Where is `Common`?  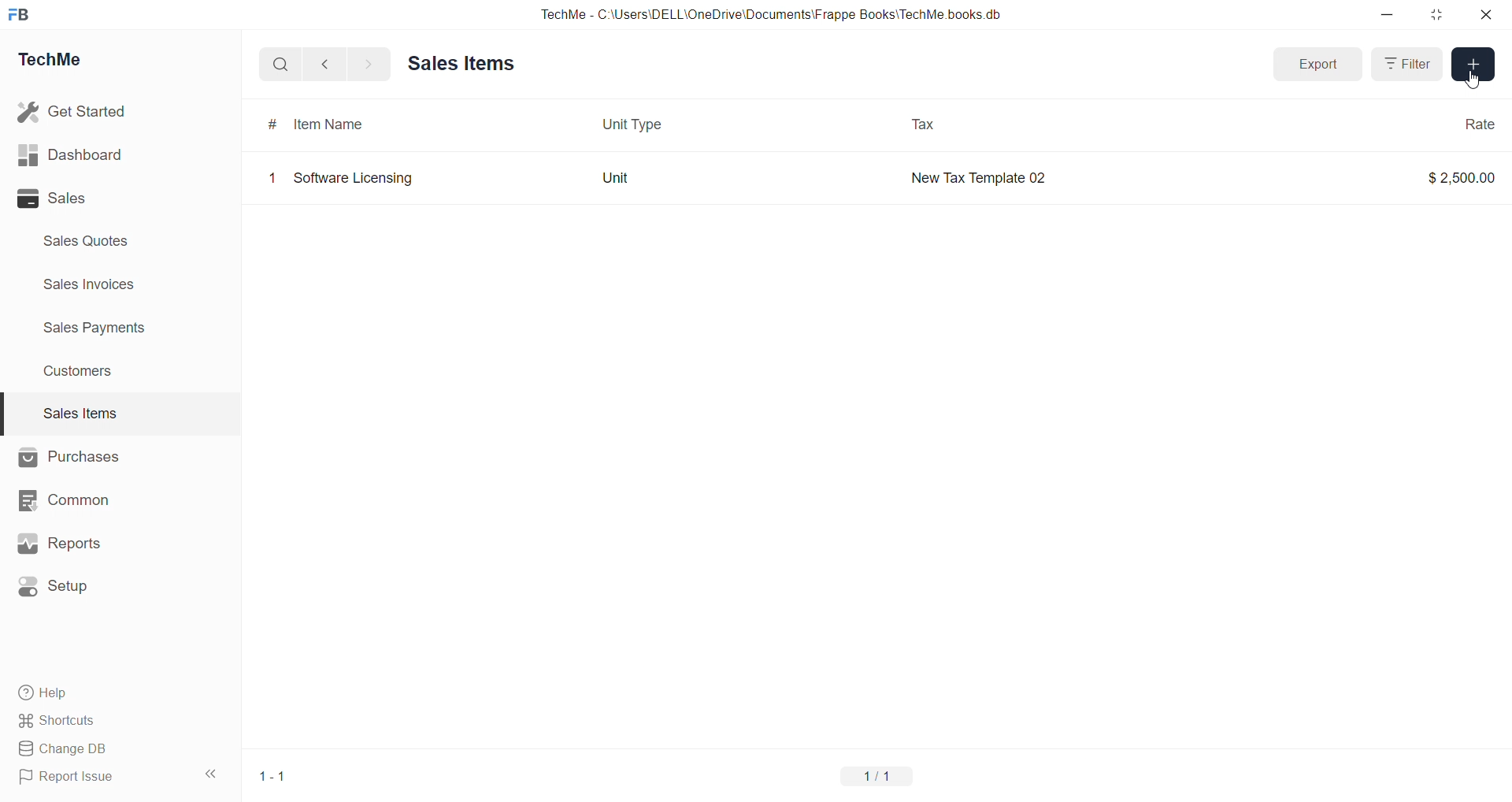
Common is located at coordinates (68, 500).